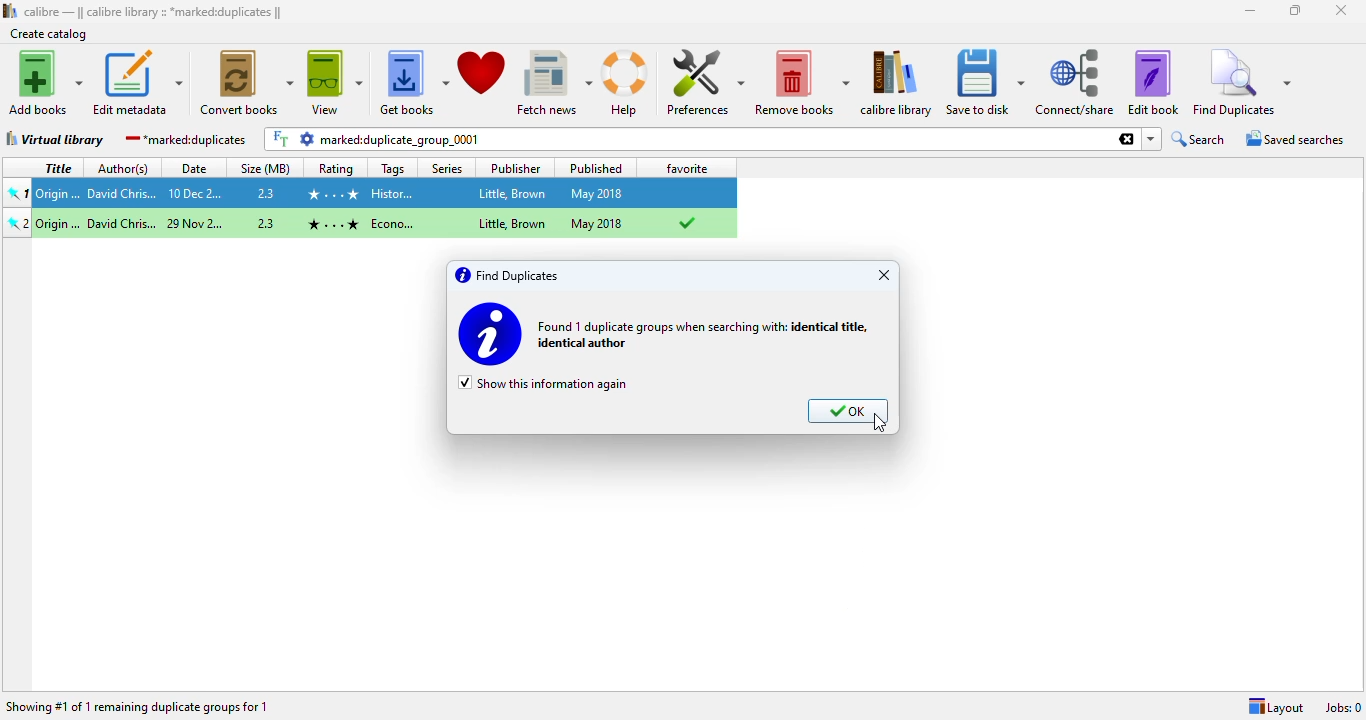 Image resolution: width=1366 pixels, height=720 pixels. I want to click on find duplicates, so click(1243, 83).